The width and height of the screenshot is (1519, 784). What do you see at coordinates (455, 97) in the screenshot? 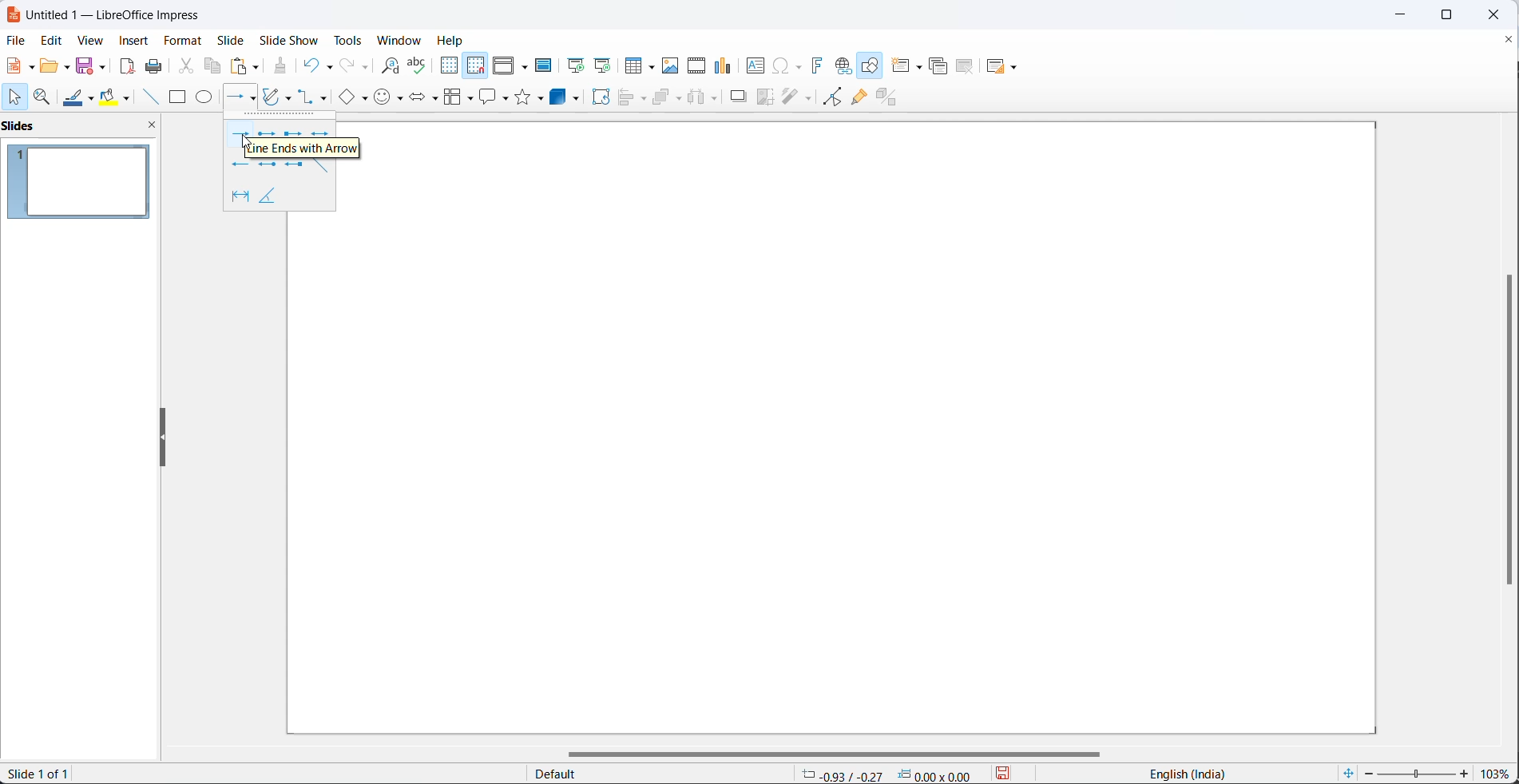
I see `flow chart` at bounding box center [455, 97].